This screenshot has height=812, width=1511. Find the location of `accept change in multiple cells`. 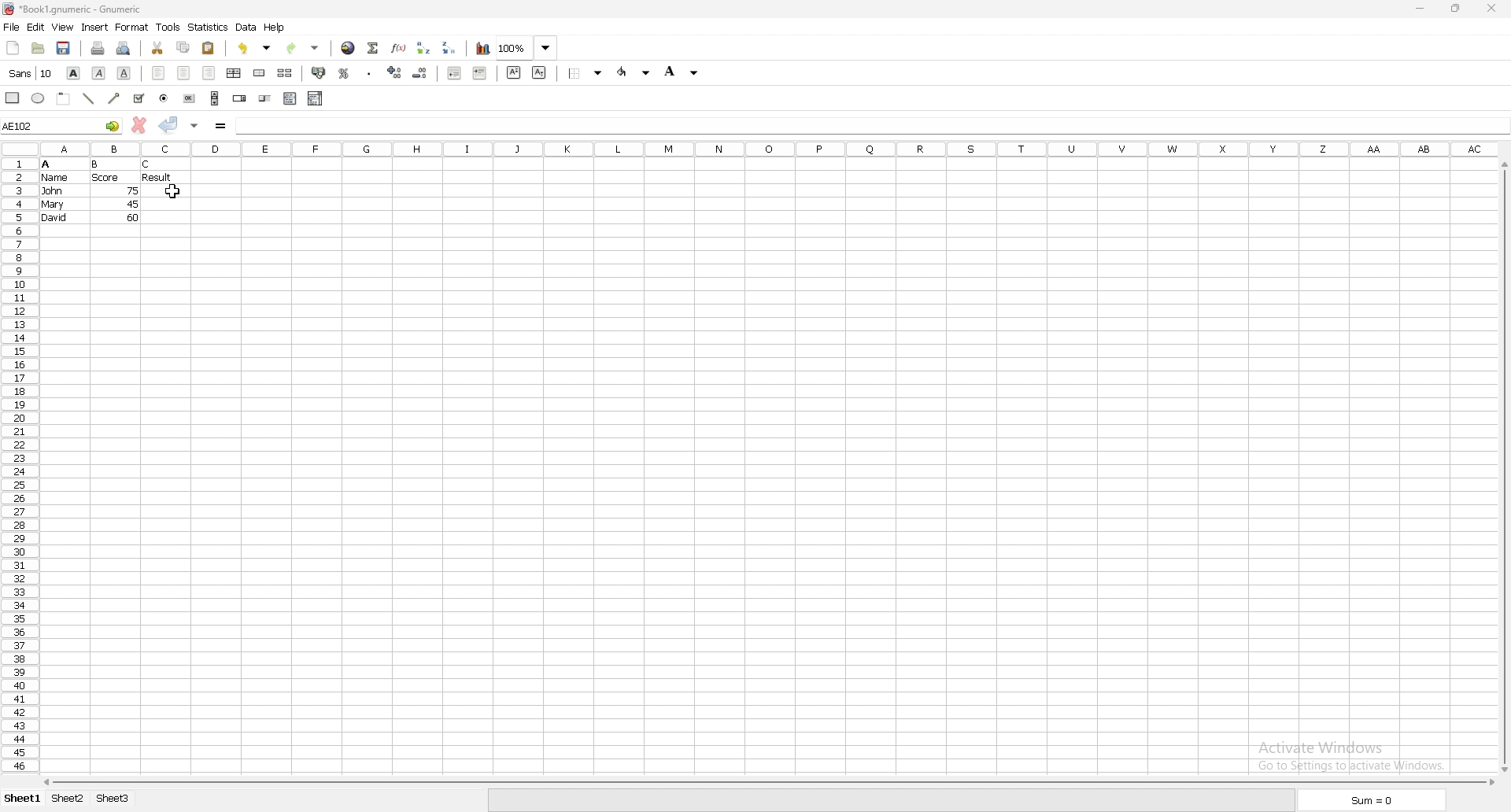

accept change in multiple cells is located at coordinates (196, 126).